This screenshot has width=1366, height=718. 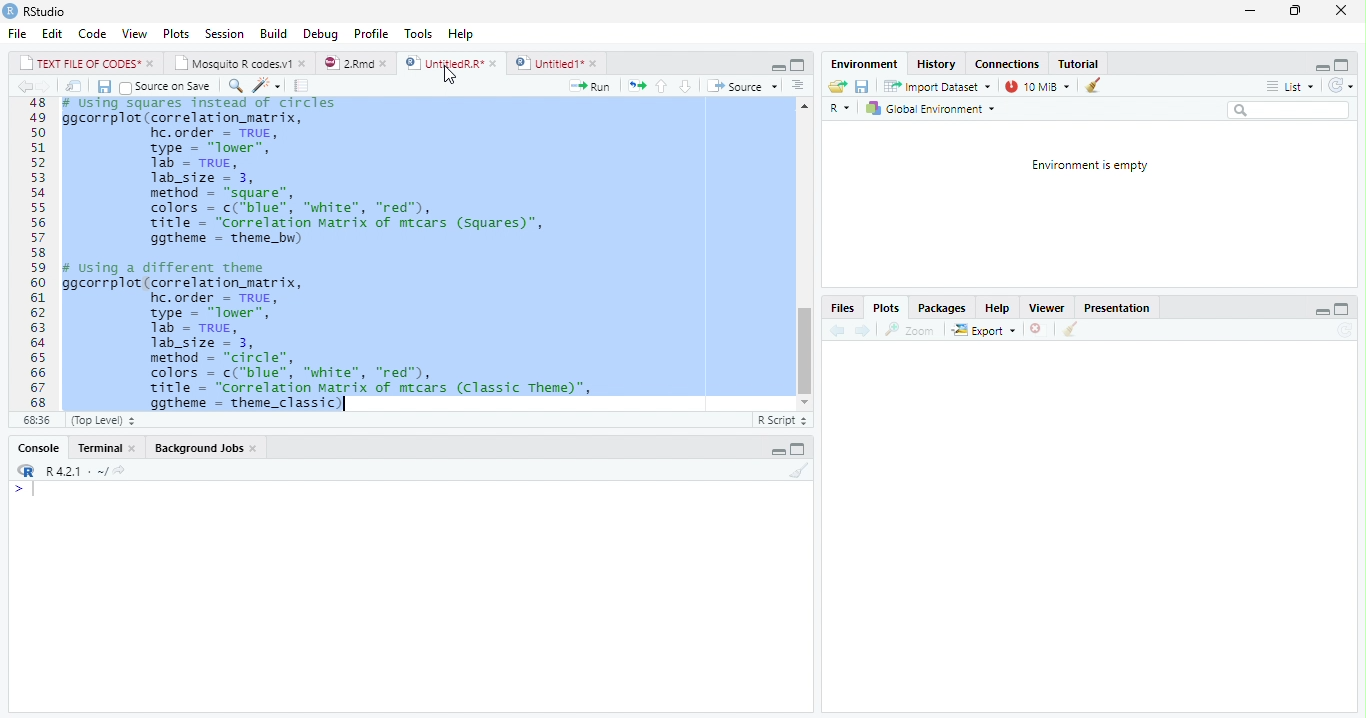 I want to click on compile report, so click(x=304, y=88).